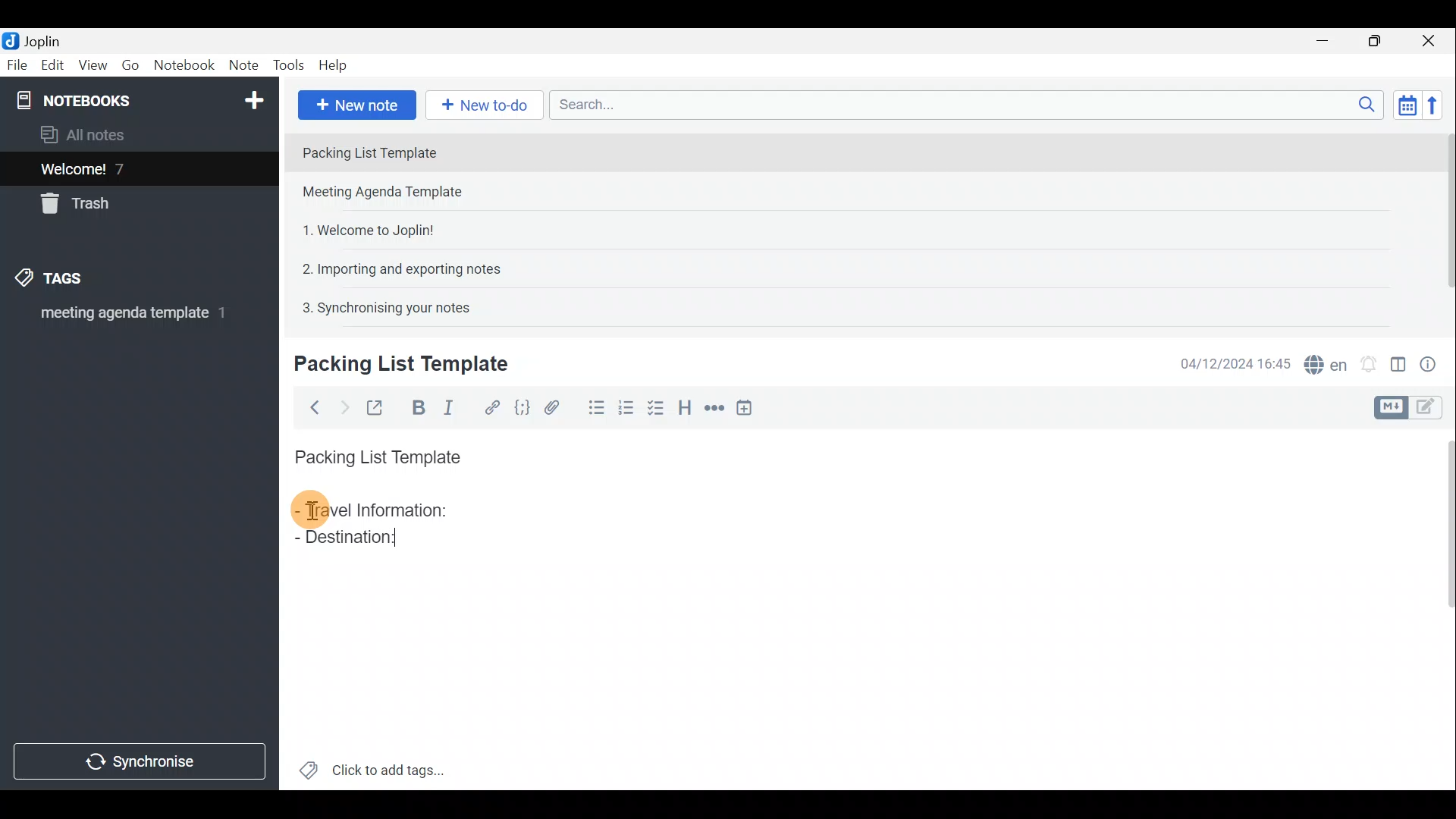 The height and width of the screenshot is (819, 1456). I want to click on Trash, so click(81, 206).